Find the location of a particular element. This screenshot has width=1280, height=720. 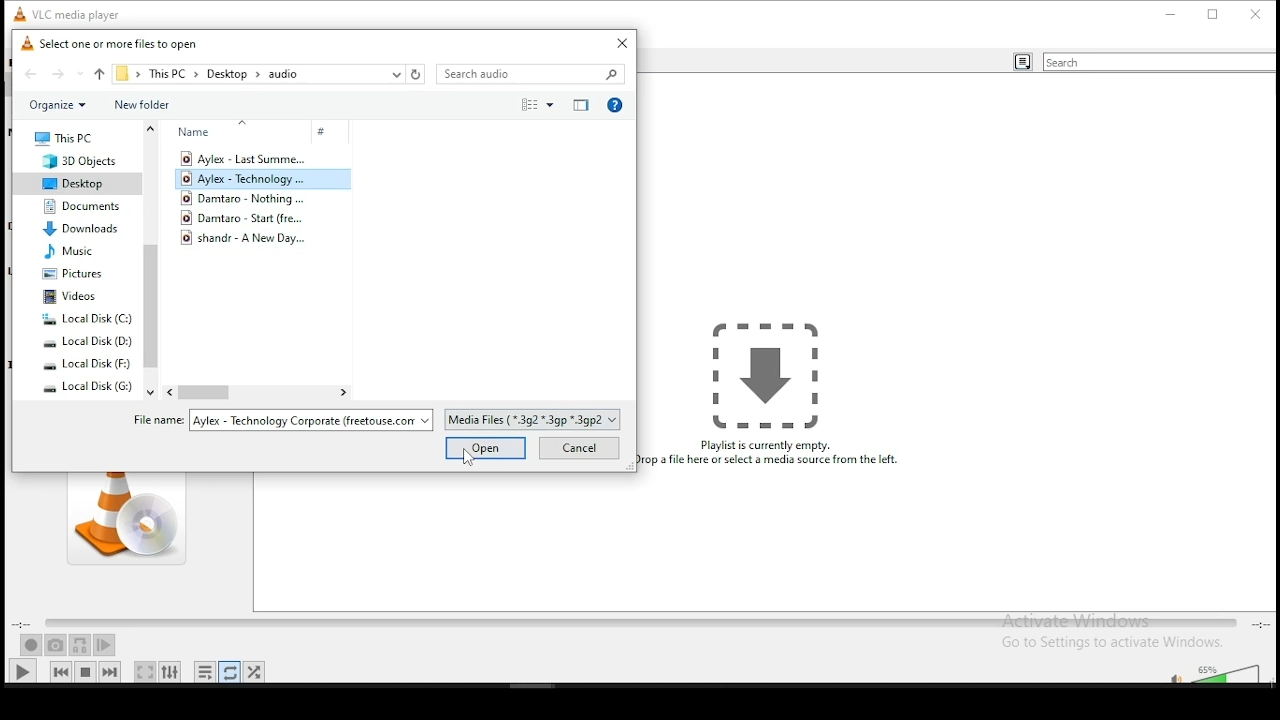

album art is located at coordinates (125, 518).